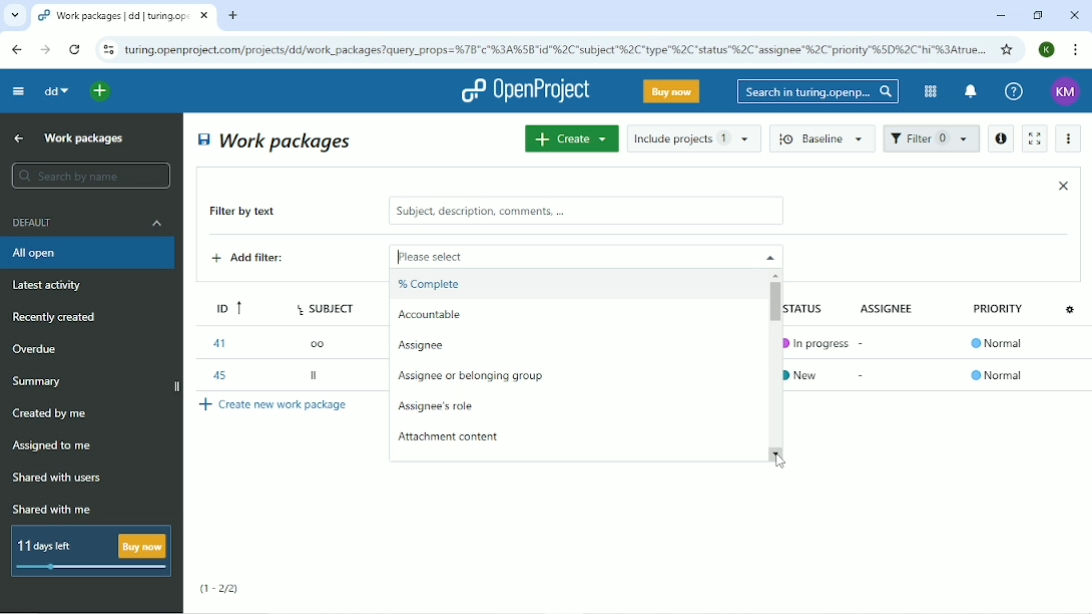  What do you see at coordinates (773, 306) in the screenshot?
I see `Vertical scrollbar` at bounding box center [773, 306].